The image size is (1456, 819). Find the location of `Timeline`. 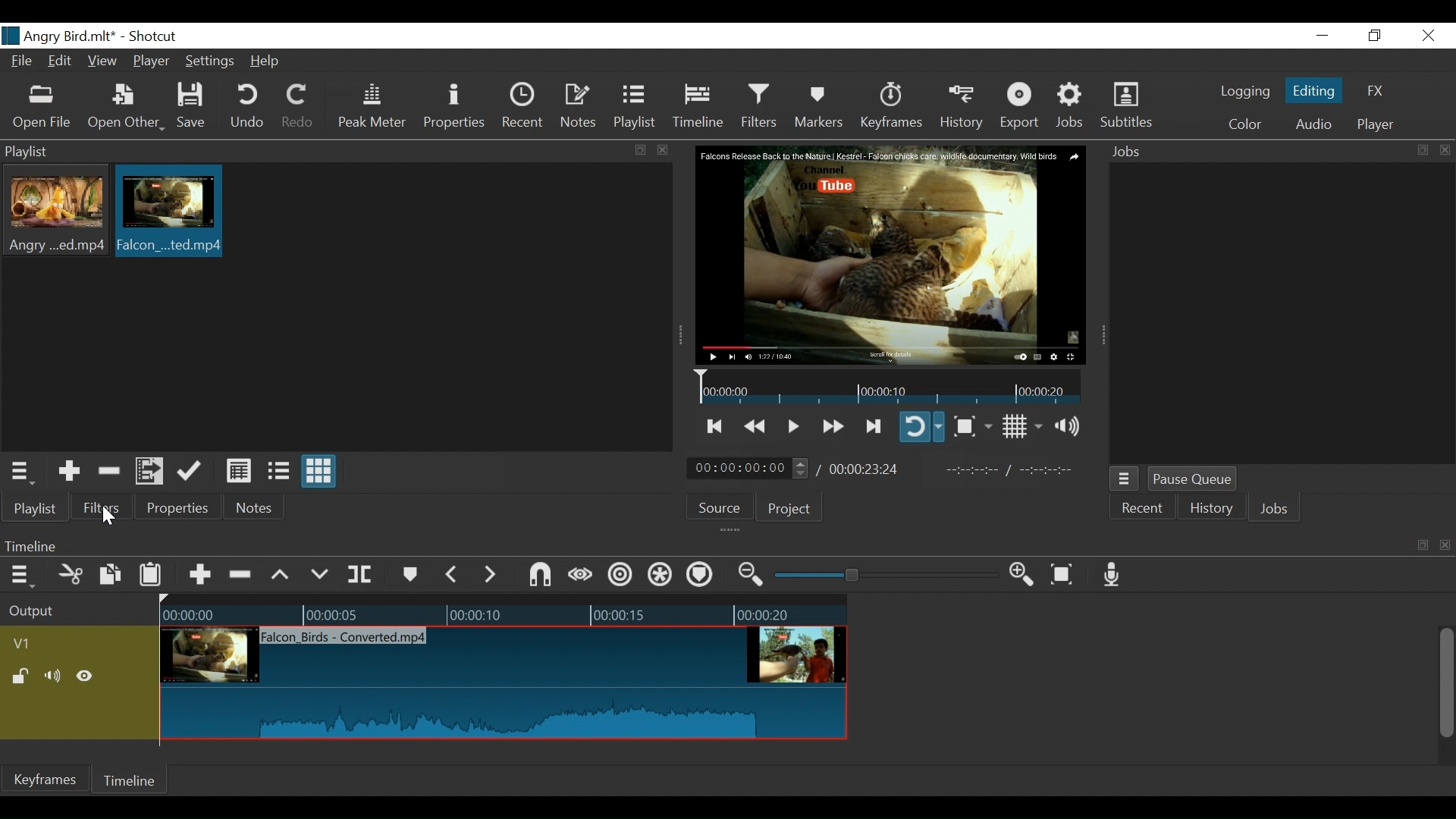

Timeline is located at coordinates (504, 611).